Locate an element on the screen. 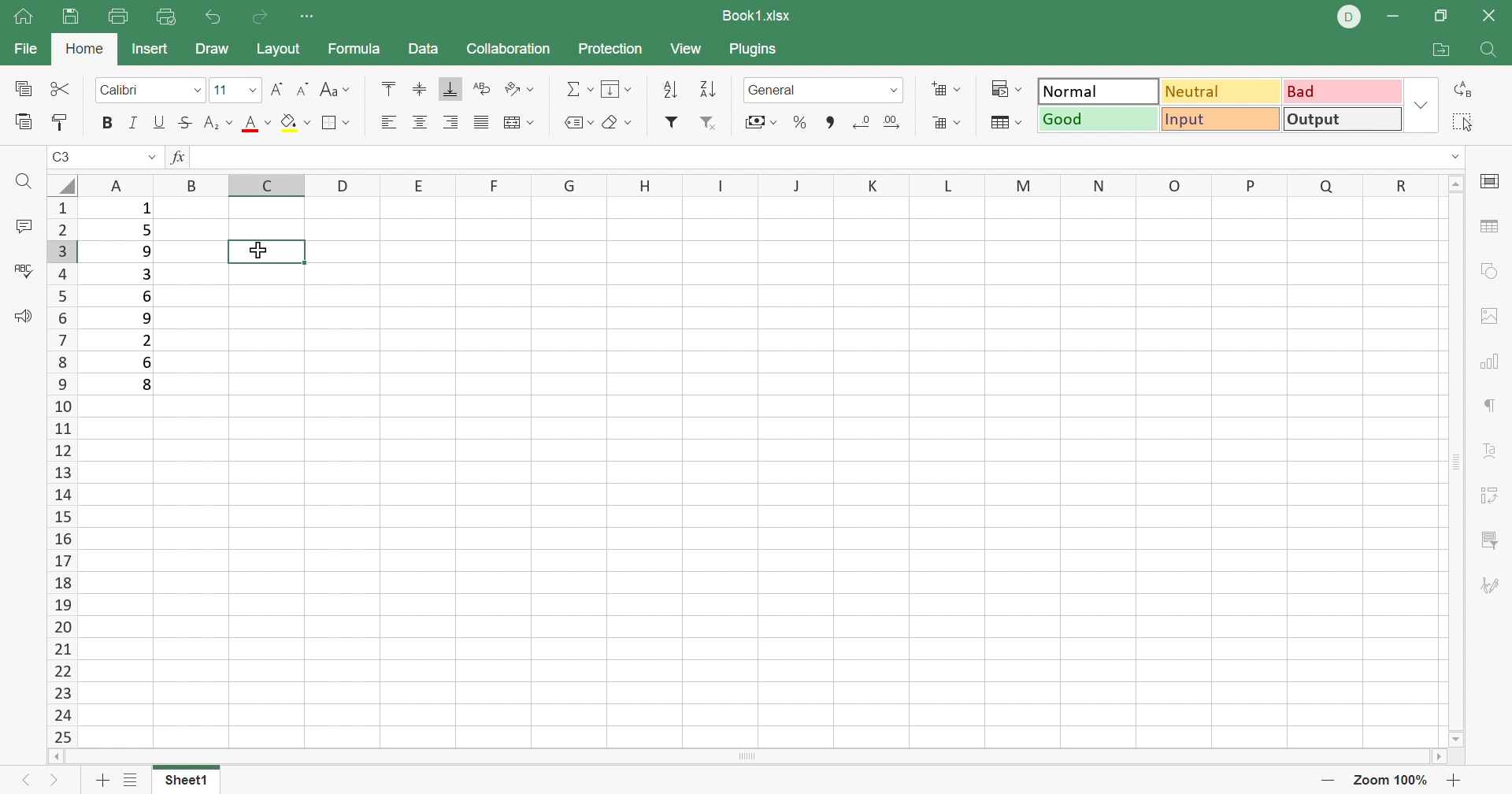  Scroll Bar is located at coordinates (746, 758).